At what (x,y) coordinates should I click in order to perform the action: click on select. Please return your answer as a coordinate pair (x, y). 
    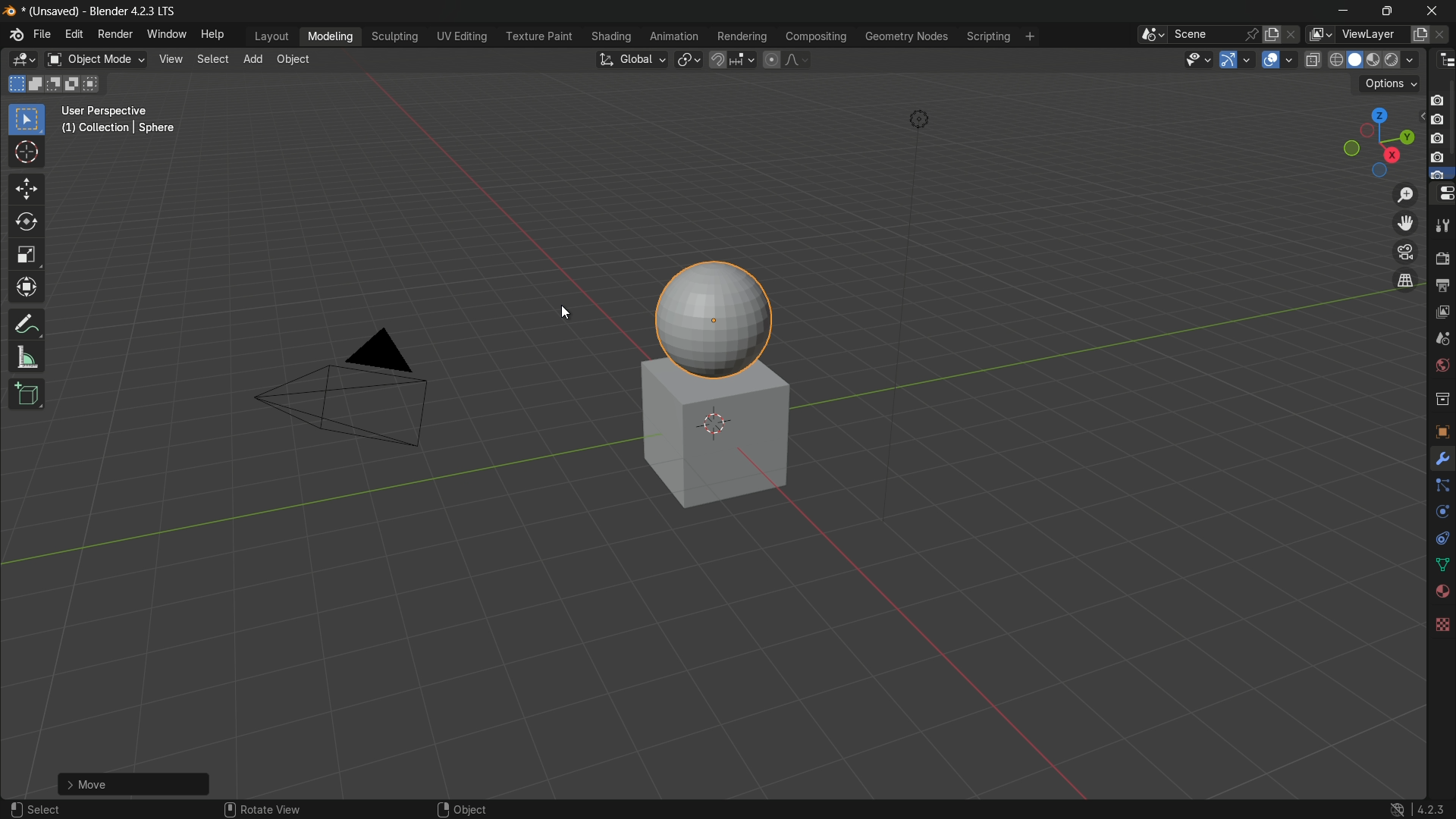
    Looking at the image, I should click on (212, 58).